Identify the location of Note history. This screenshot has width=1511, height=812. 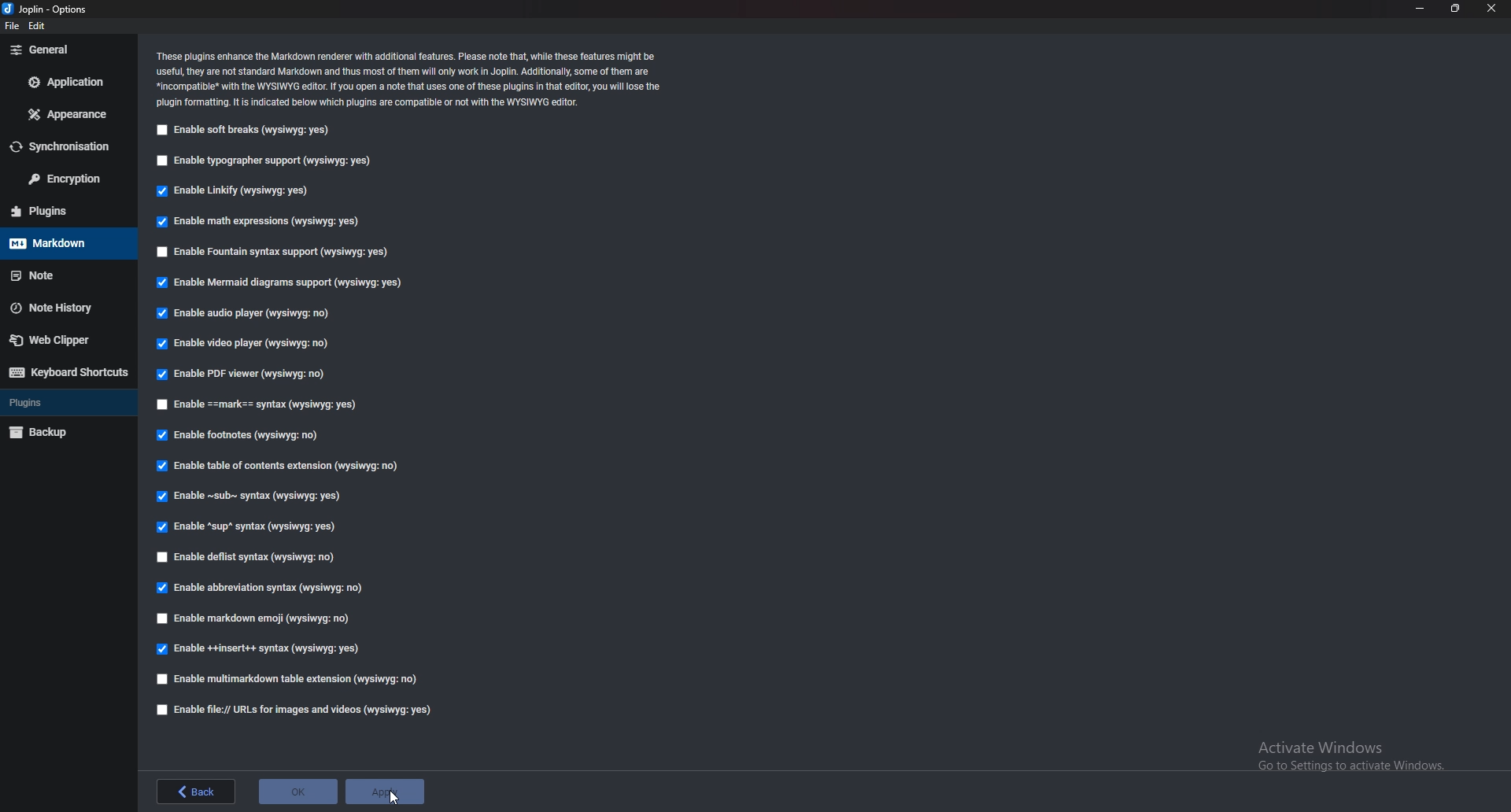
(66, 308).